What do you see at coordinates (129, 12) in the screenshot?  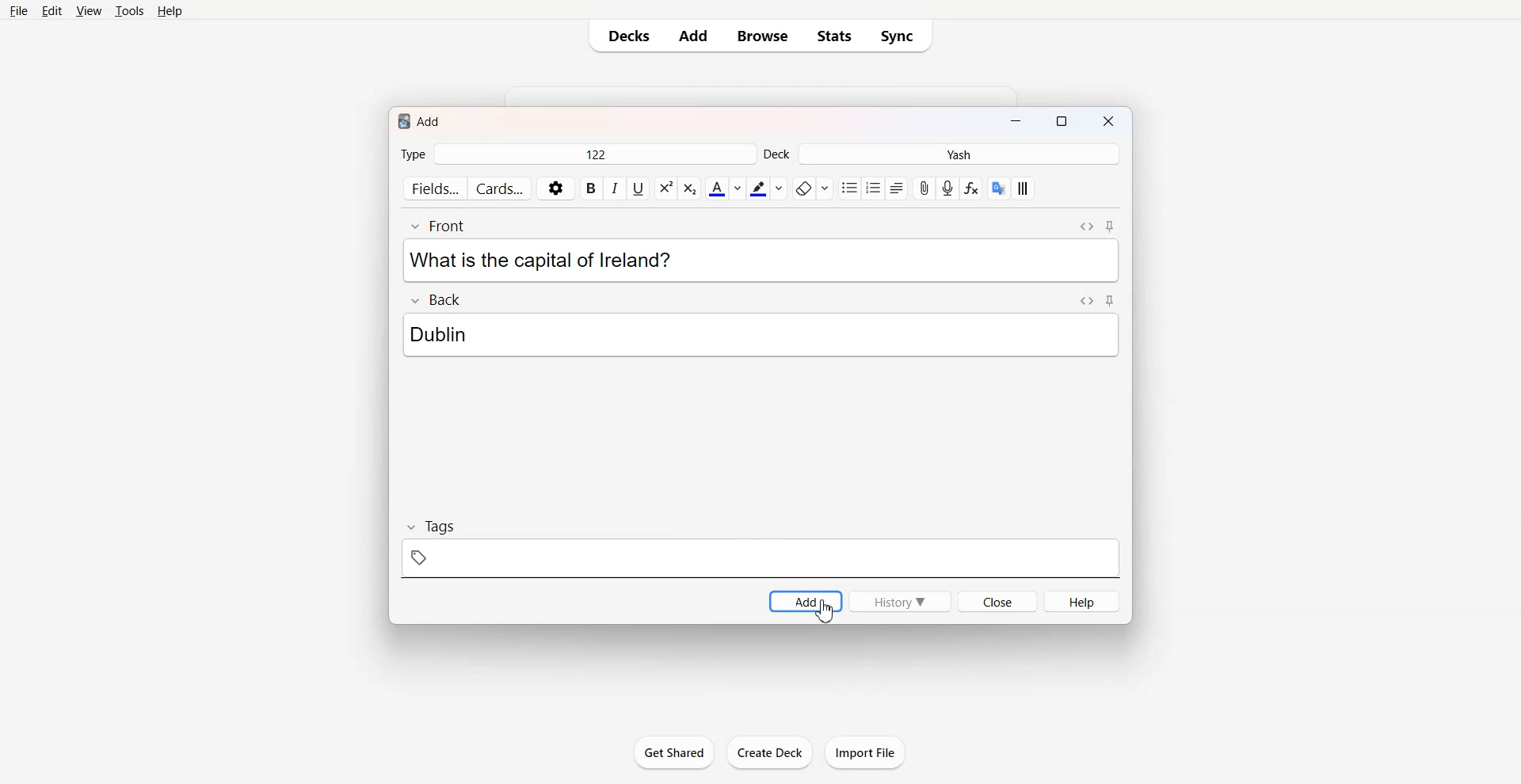 I see `Tools` at bounding box center [129, 12].